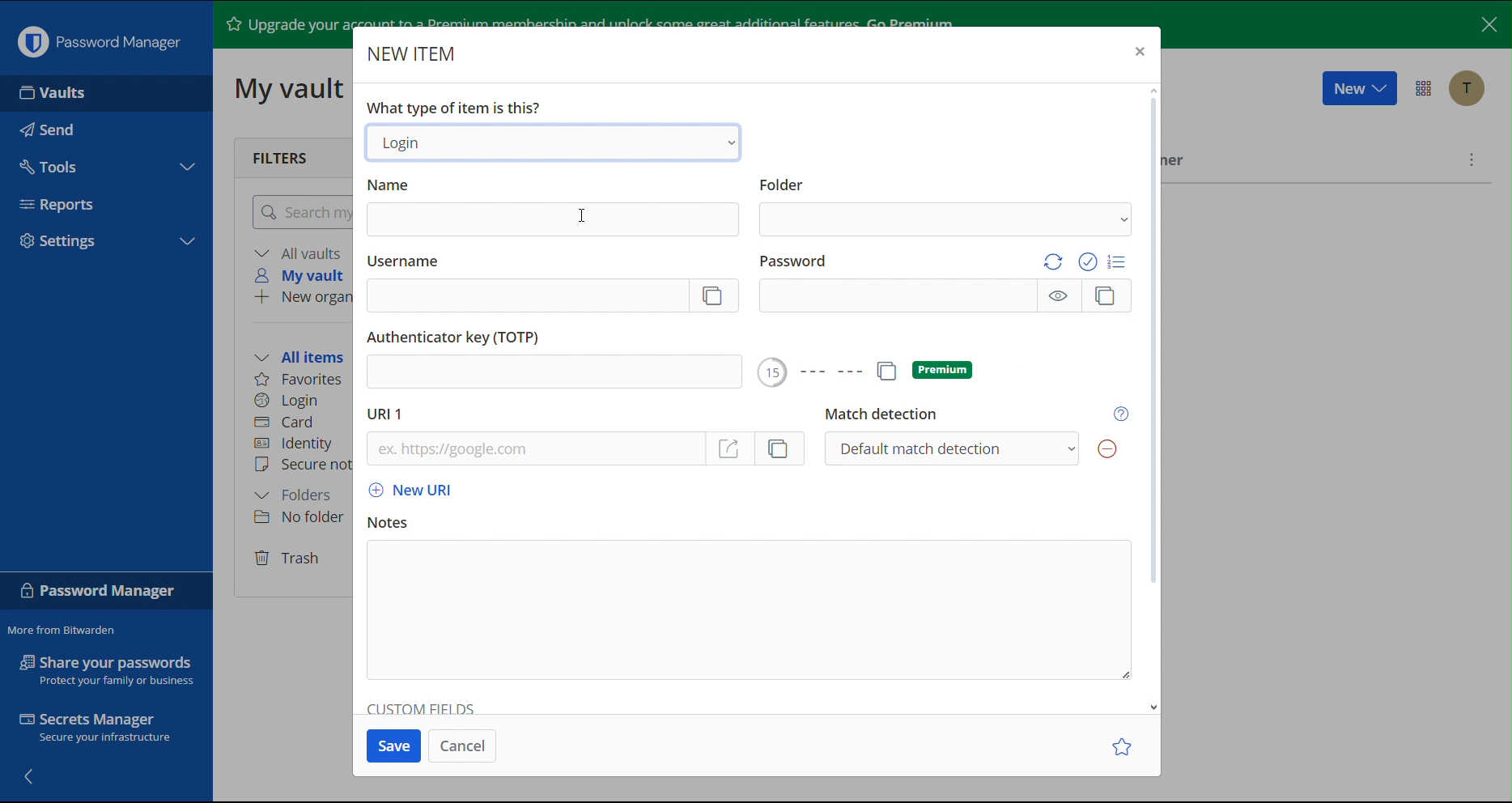 This screenshot has height=803, width=1512. Describe the element at coordinates (301, 253) in the screenshot. I see `All vaults` at that location.